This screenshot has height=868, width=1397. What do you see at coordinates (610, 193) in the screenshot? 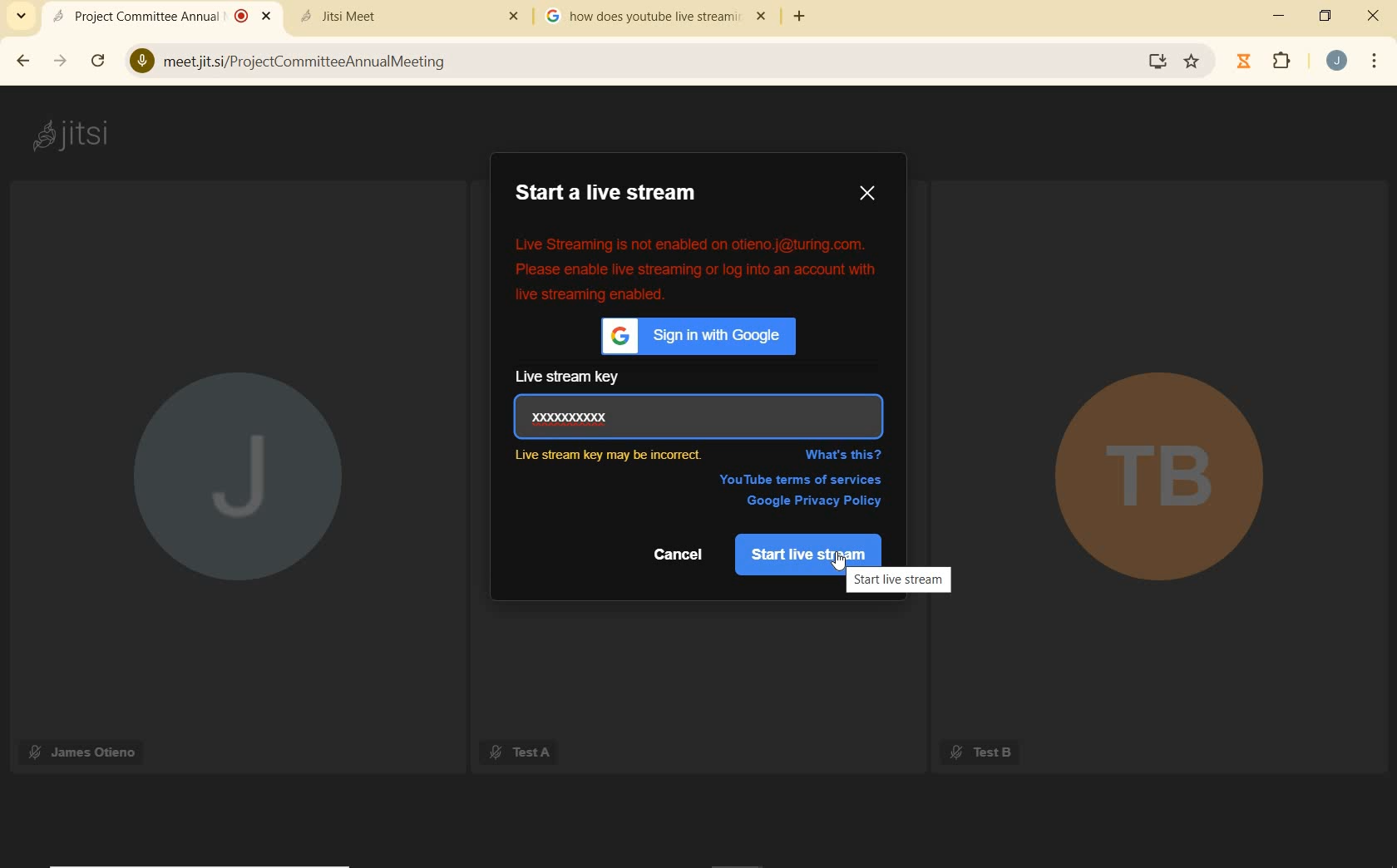
I see `START A LIVE STREAM` at bounding box center [610, 193].